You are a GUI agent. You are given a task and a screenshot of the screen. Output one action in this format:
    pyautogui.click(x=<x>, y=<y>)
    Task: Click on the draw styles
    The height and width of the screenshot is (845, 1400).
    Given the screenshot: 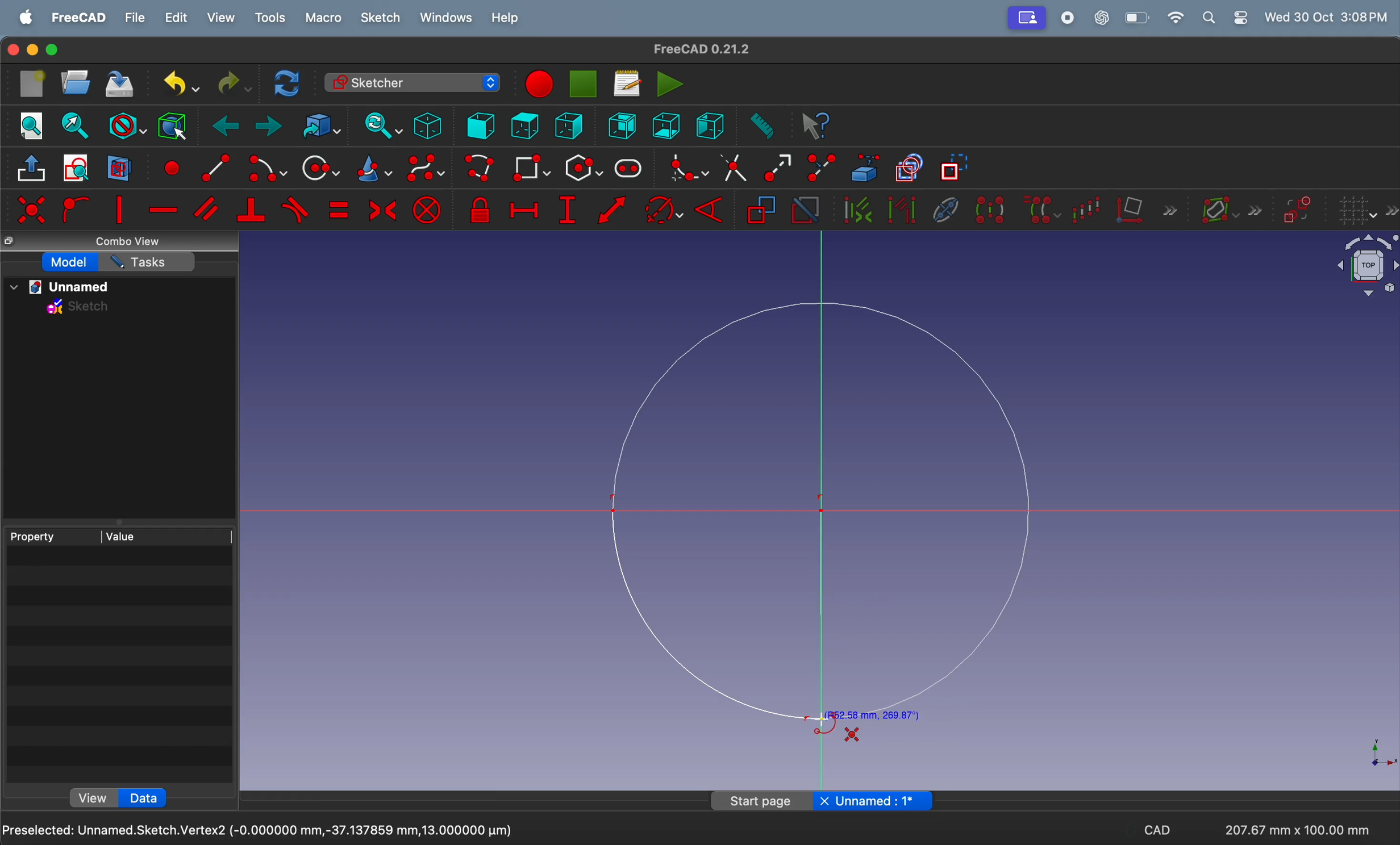 What is the action you would take?
    pyautogui.click(x=126, y=124)
    